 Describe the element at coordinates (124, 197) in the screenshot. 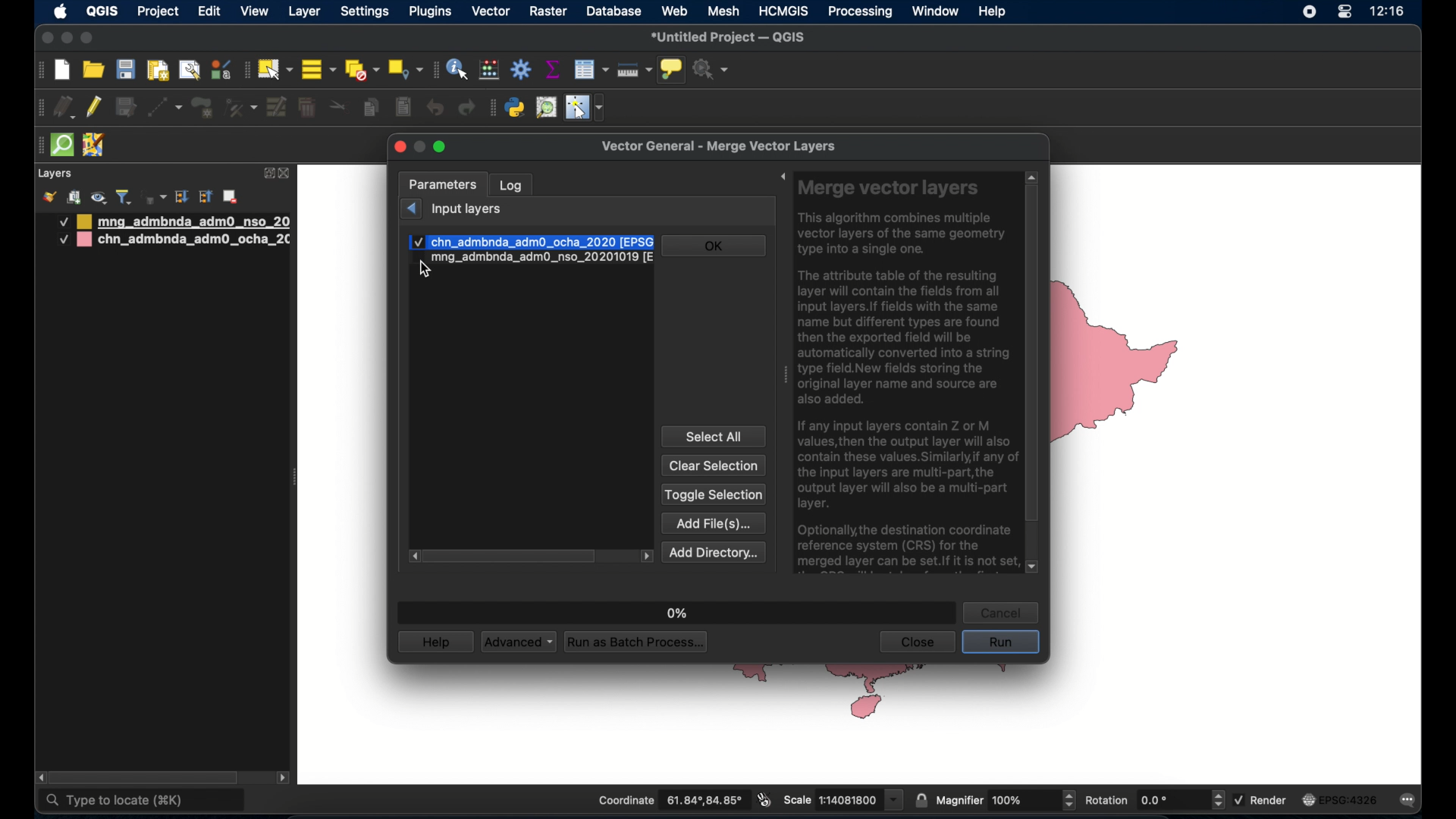

I see `filter legend` at that location.